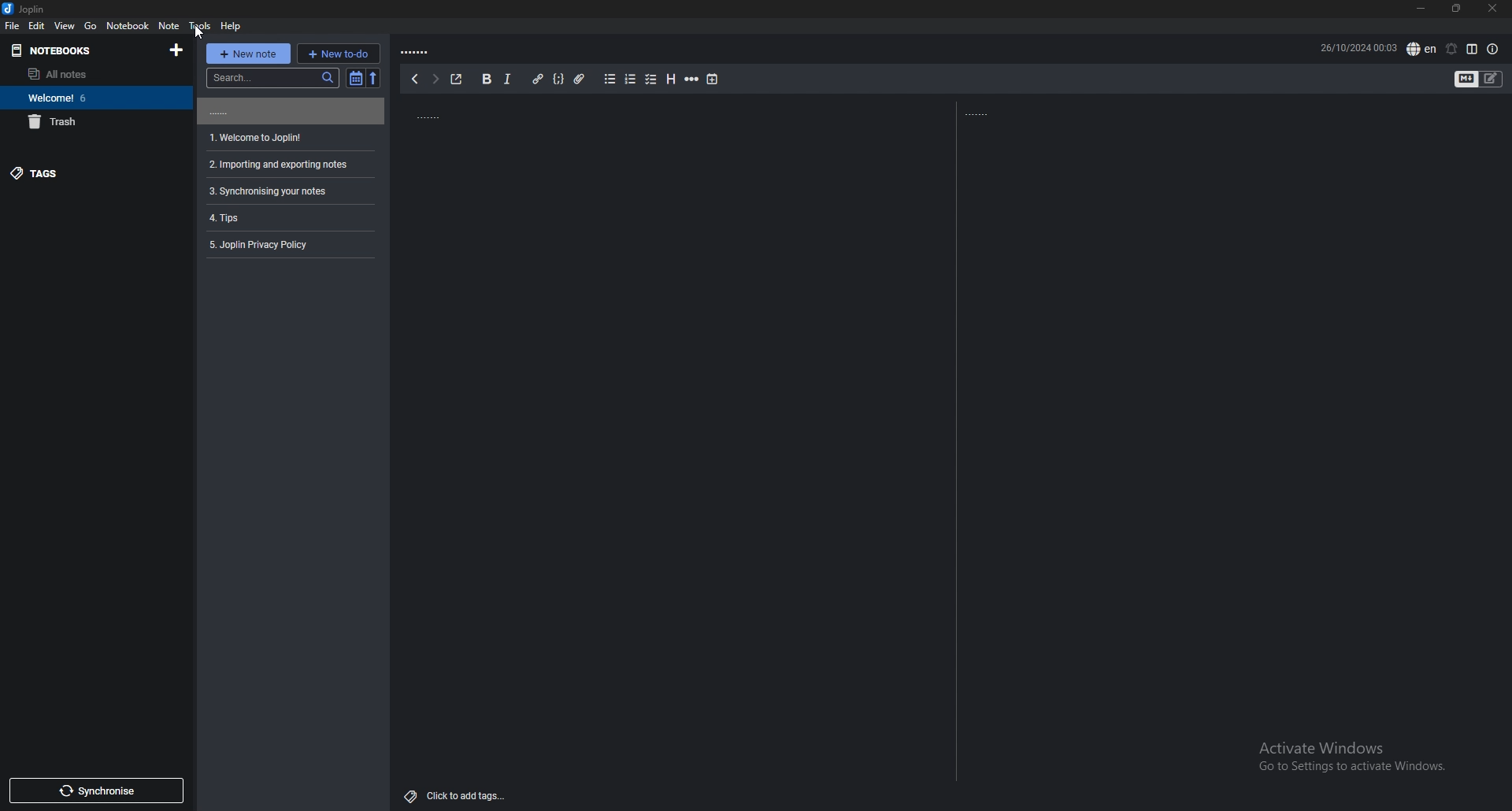  What do you see at coordinates (200, 34) in the screenshot?
I see `cursor` at bounding box center [200, 34].